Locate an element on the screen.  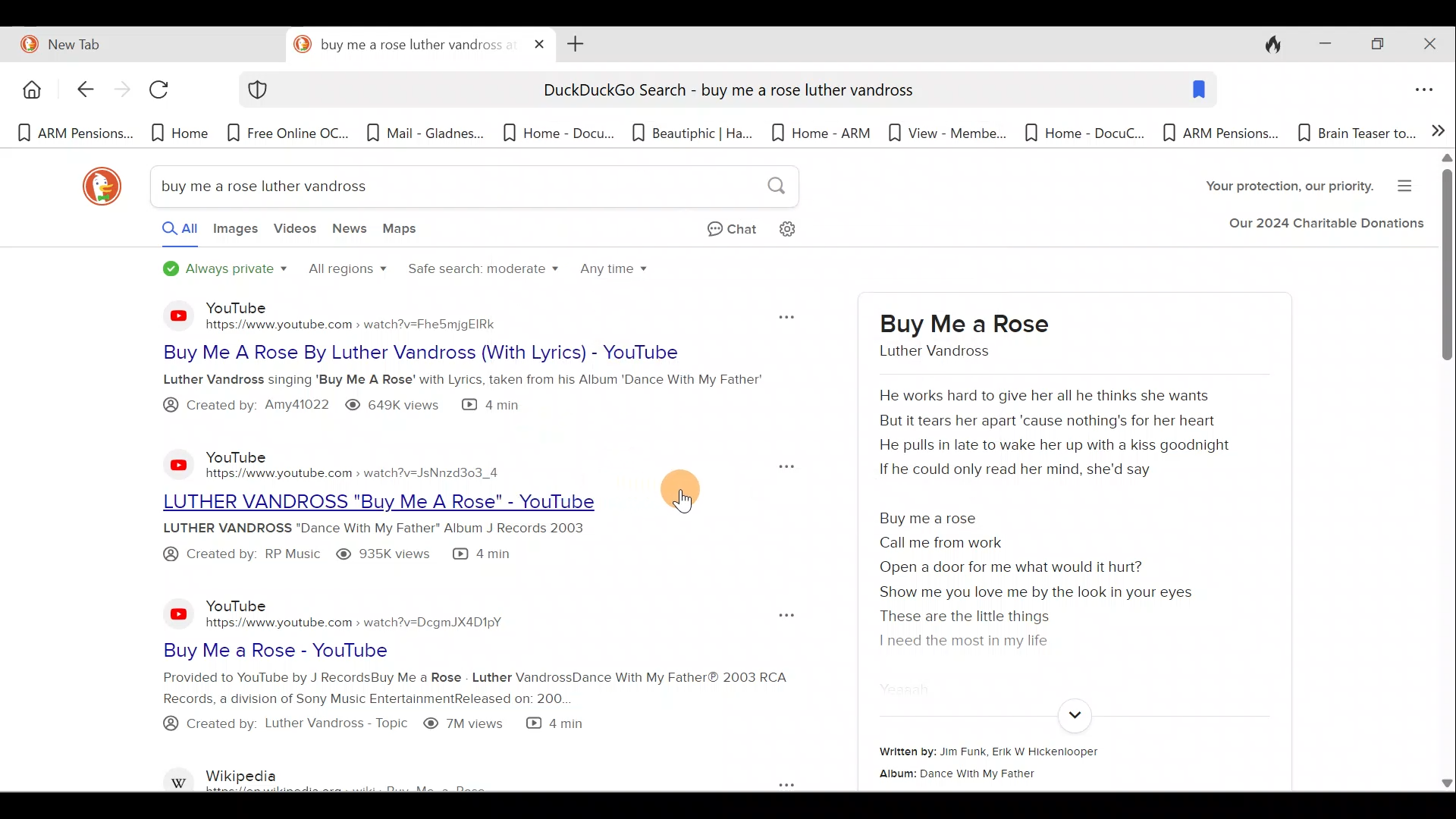
Bookmark 8 is located at coordinates (943, 132).